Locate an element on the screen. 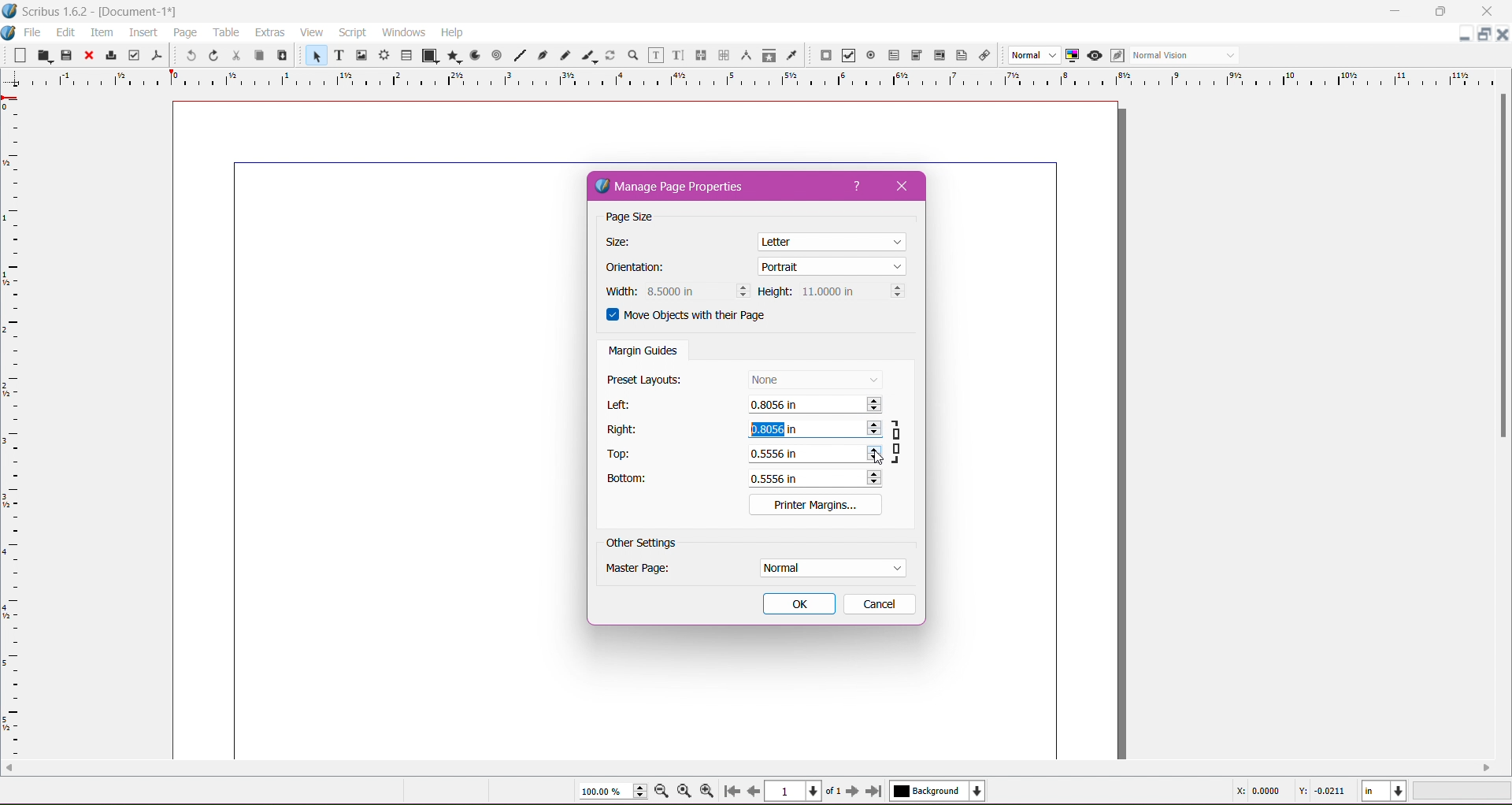  Text Frame is located at coordinates (338, 55).